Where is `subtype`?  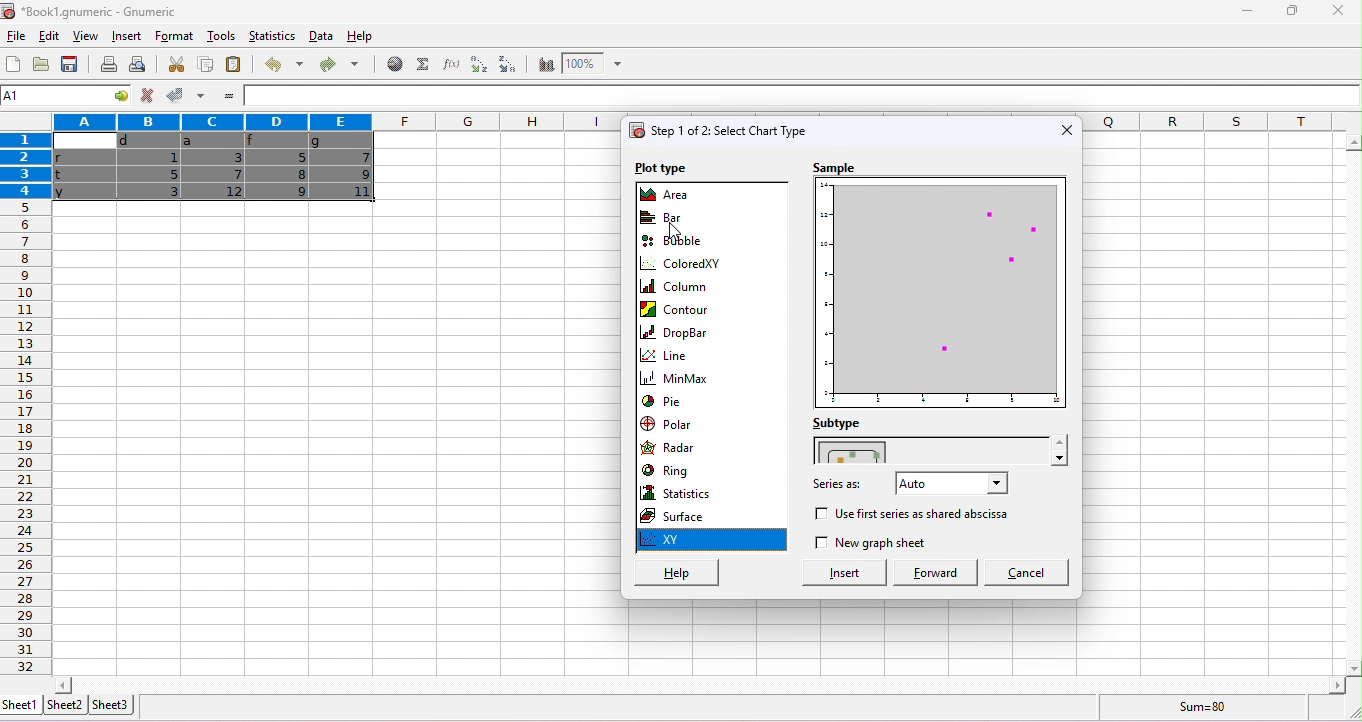
subtype is located at coordinates (840, 424).